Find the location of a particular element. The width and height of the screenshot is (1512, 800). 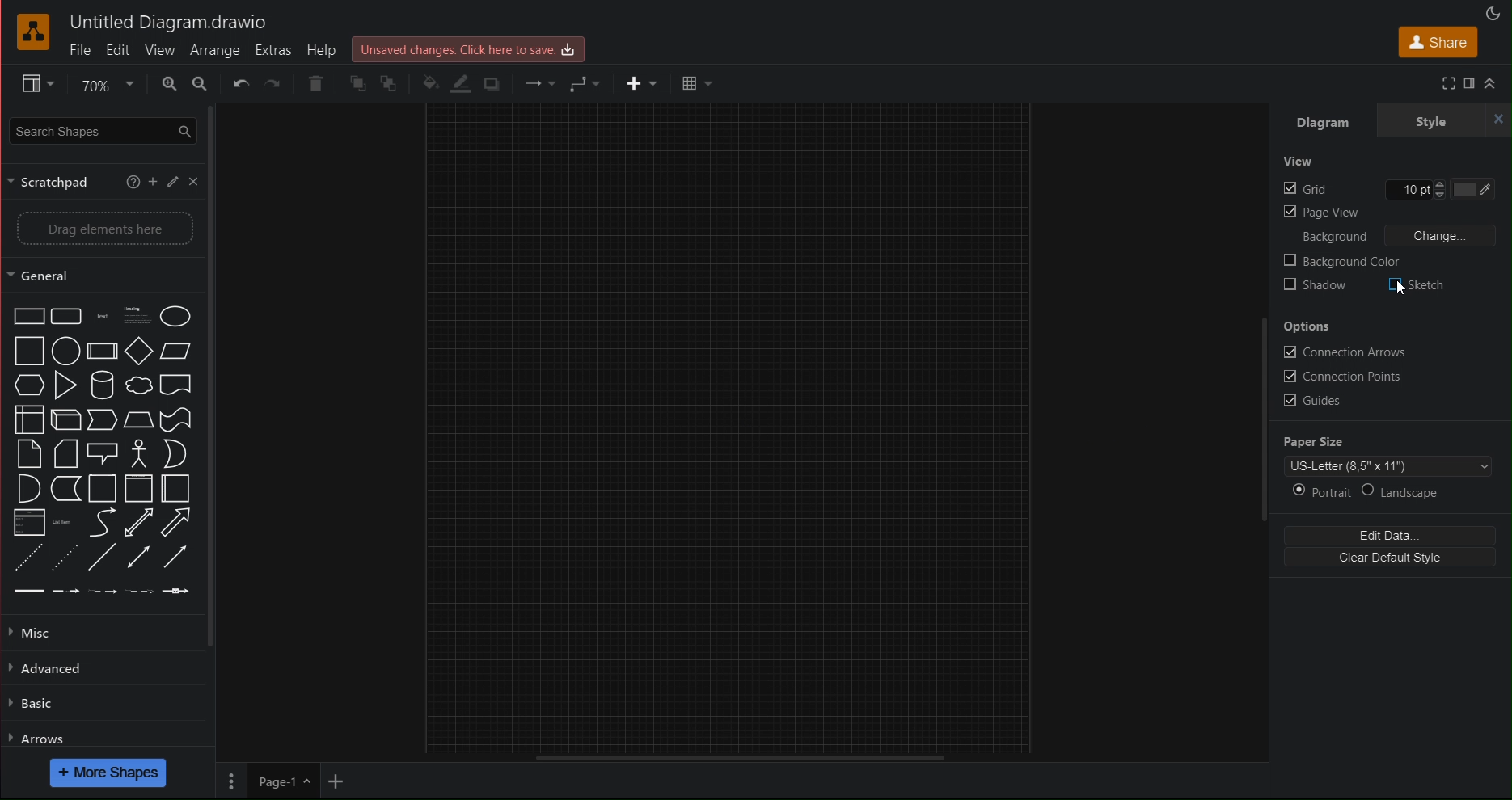

Share is located at coordinates (1438, 44).